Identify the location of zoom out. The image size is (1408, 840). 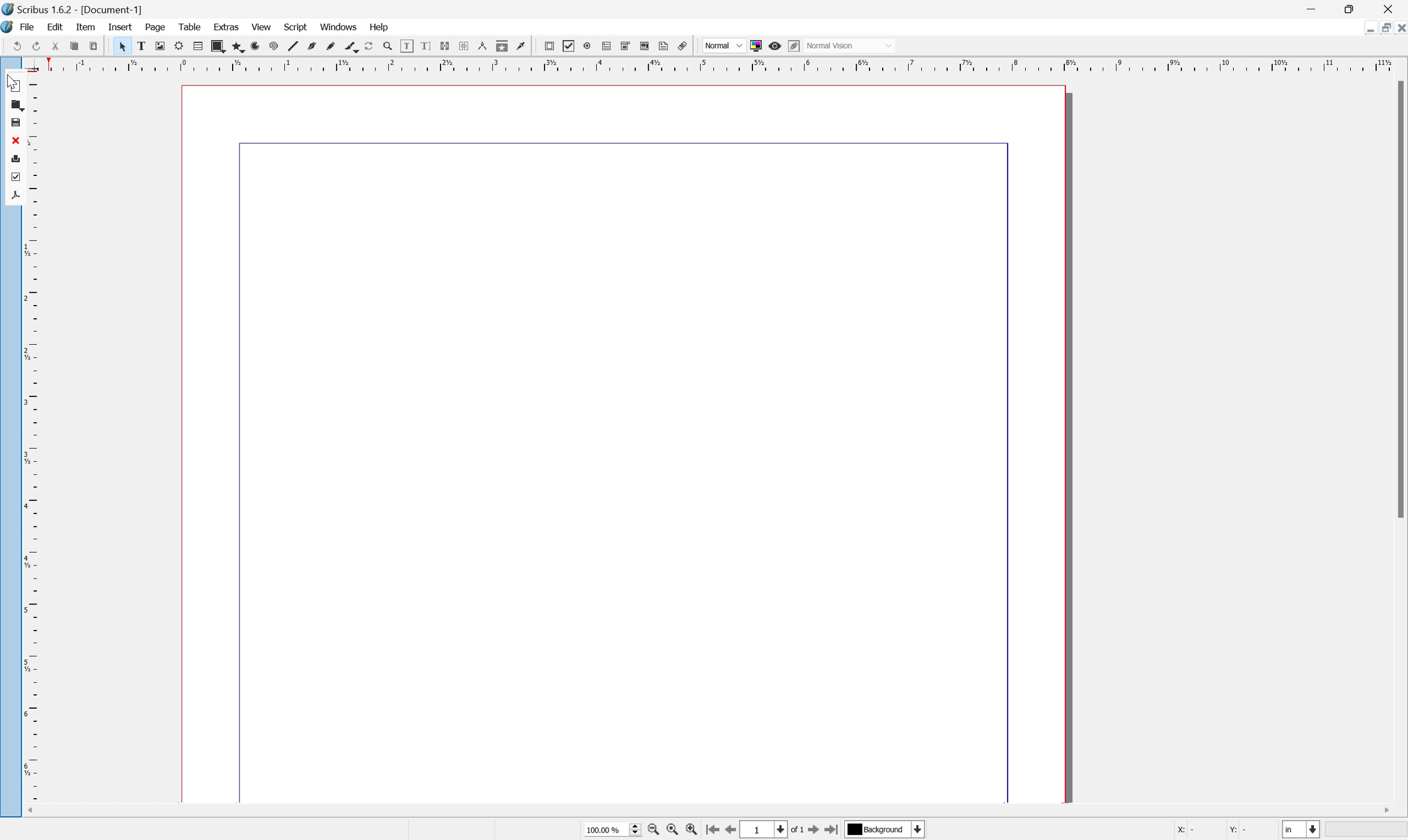
(654, 832).